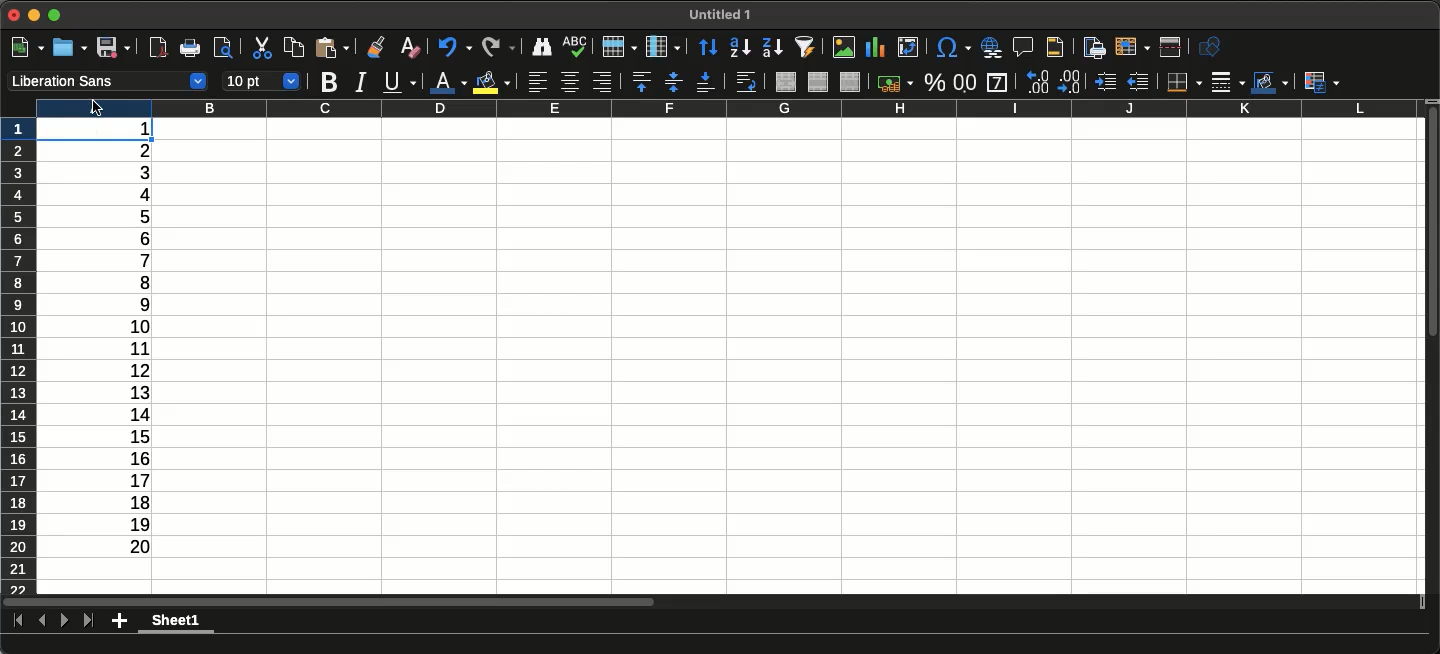  What do you see at coordinates (137, 195) in the screenshot?
I see `4` at bounding box center [137, 195].